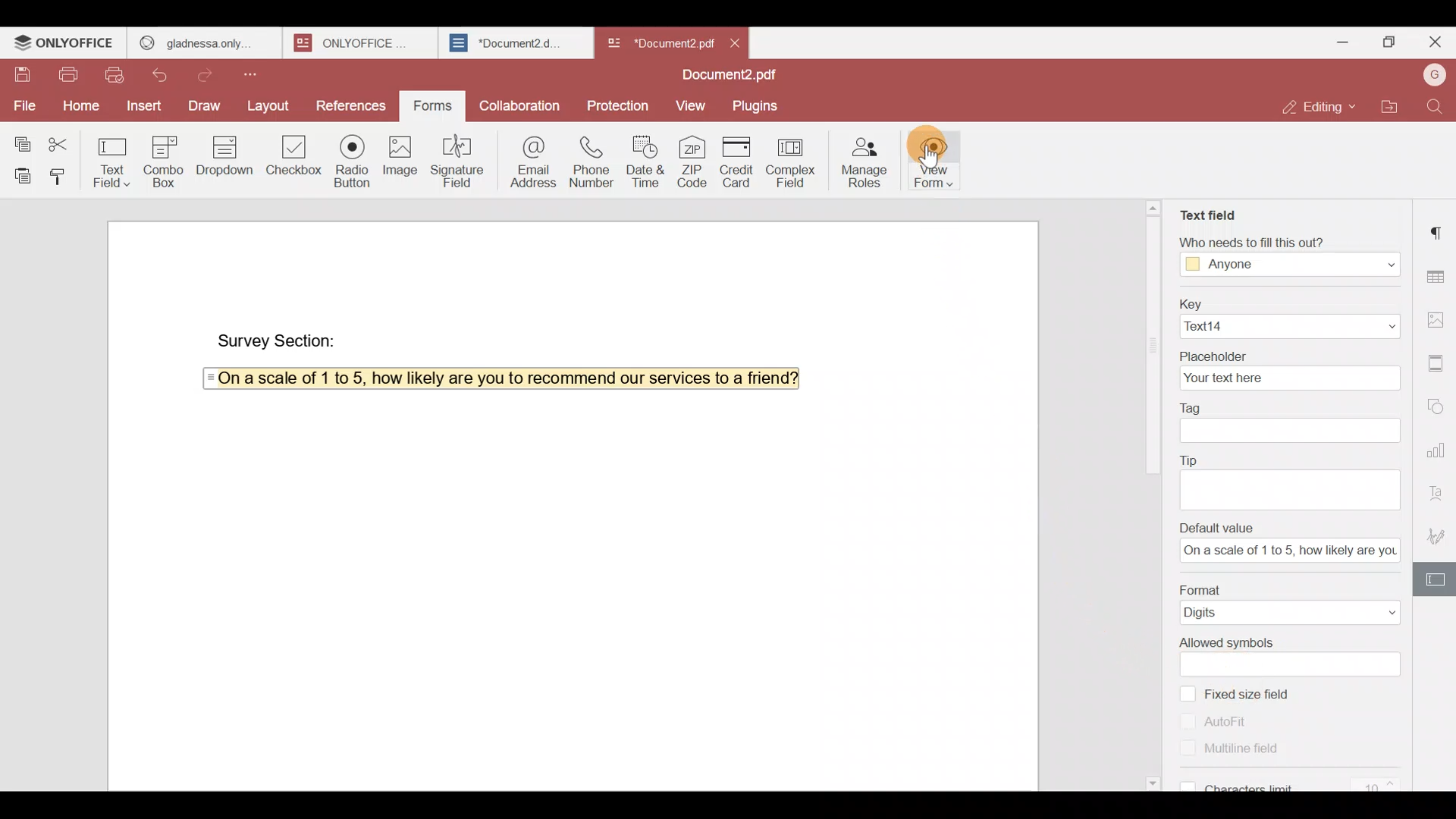 This screenshot has height=819, width=1456. Describe the element at coordinates (351, 158) in the screenshot. I see `Radio` at that location.